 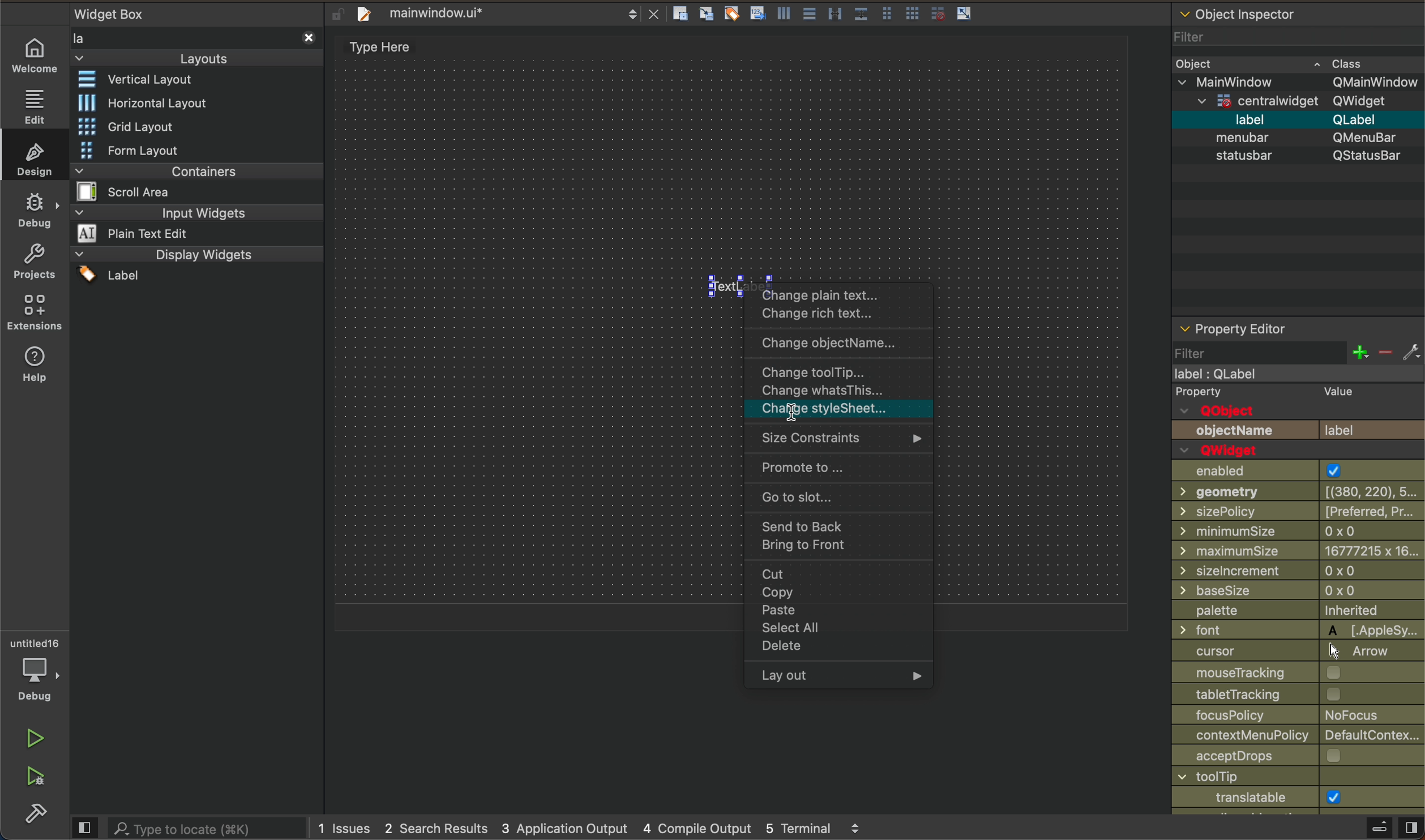 I want to click on plain text edit, so click(x=163, y=233).